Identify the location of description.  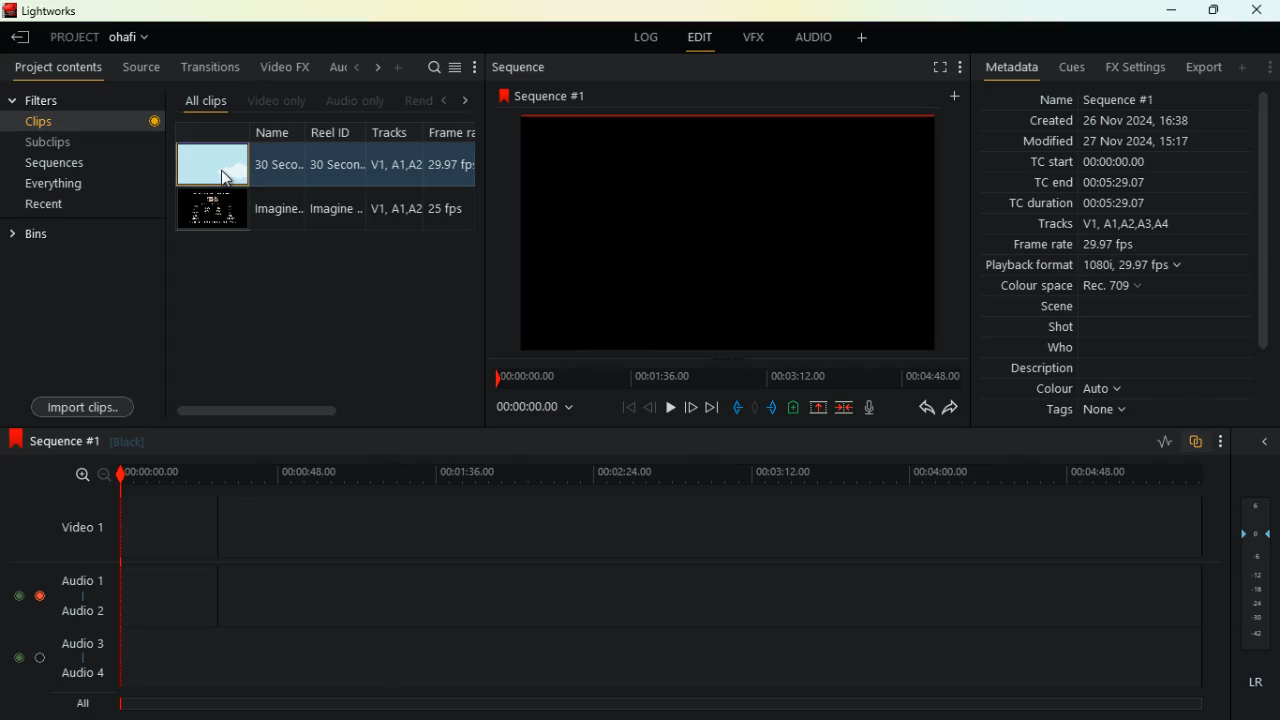
(1042, 369).